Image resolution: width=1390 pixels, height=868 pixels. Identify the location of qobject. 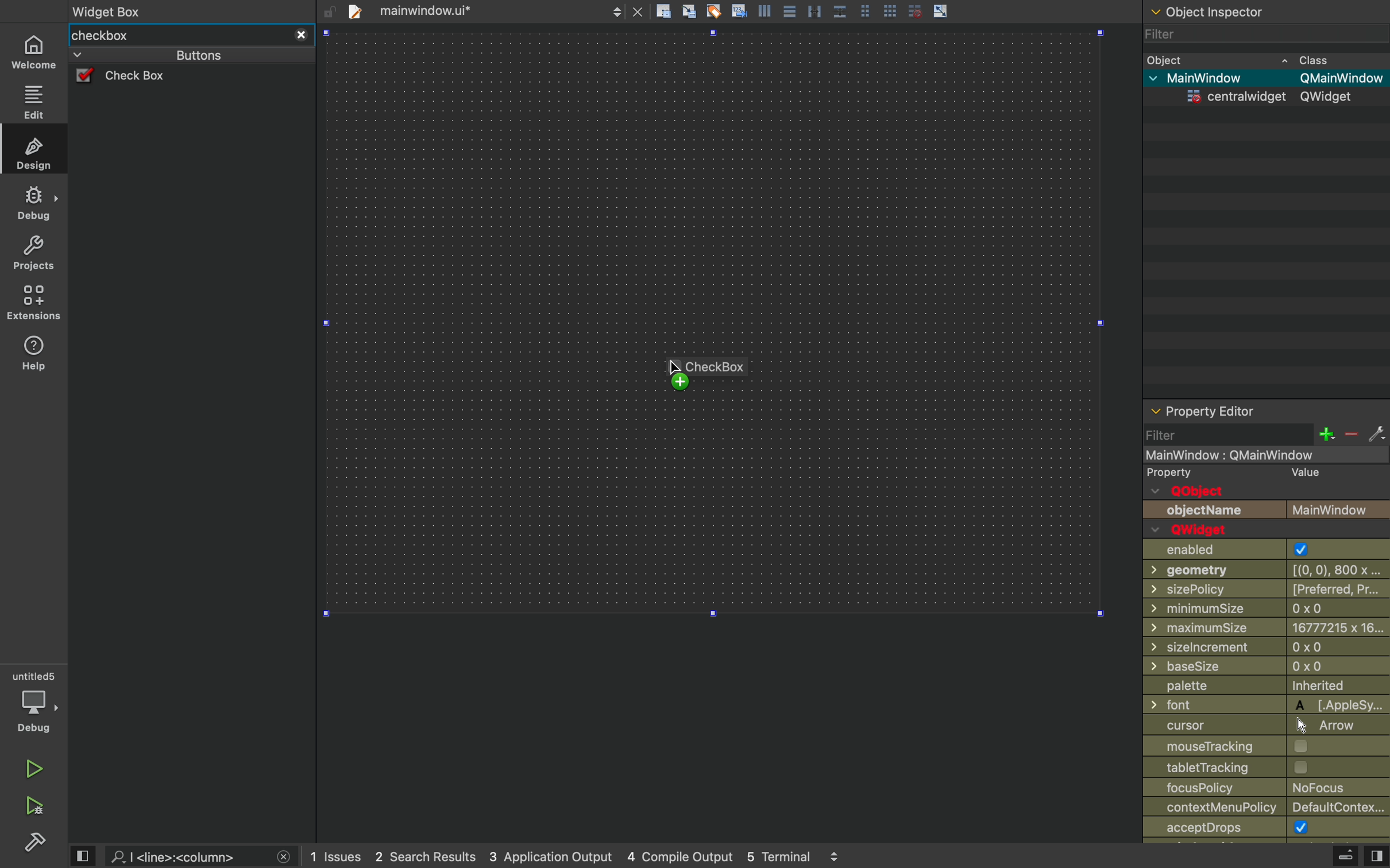
(1203, 491).